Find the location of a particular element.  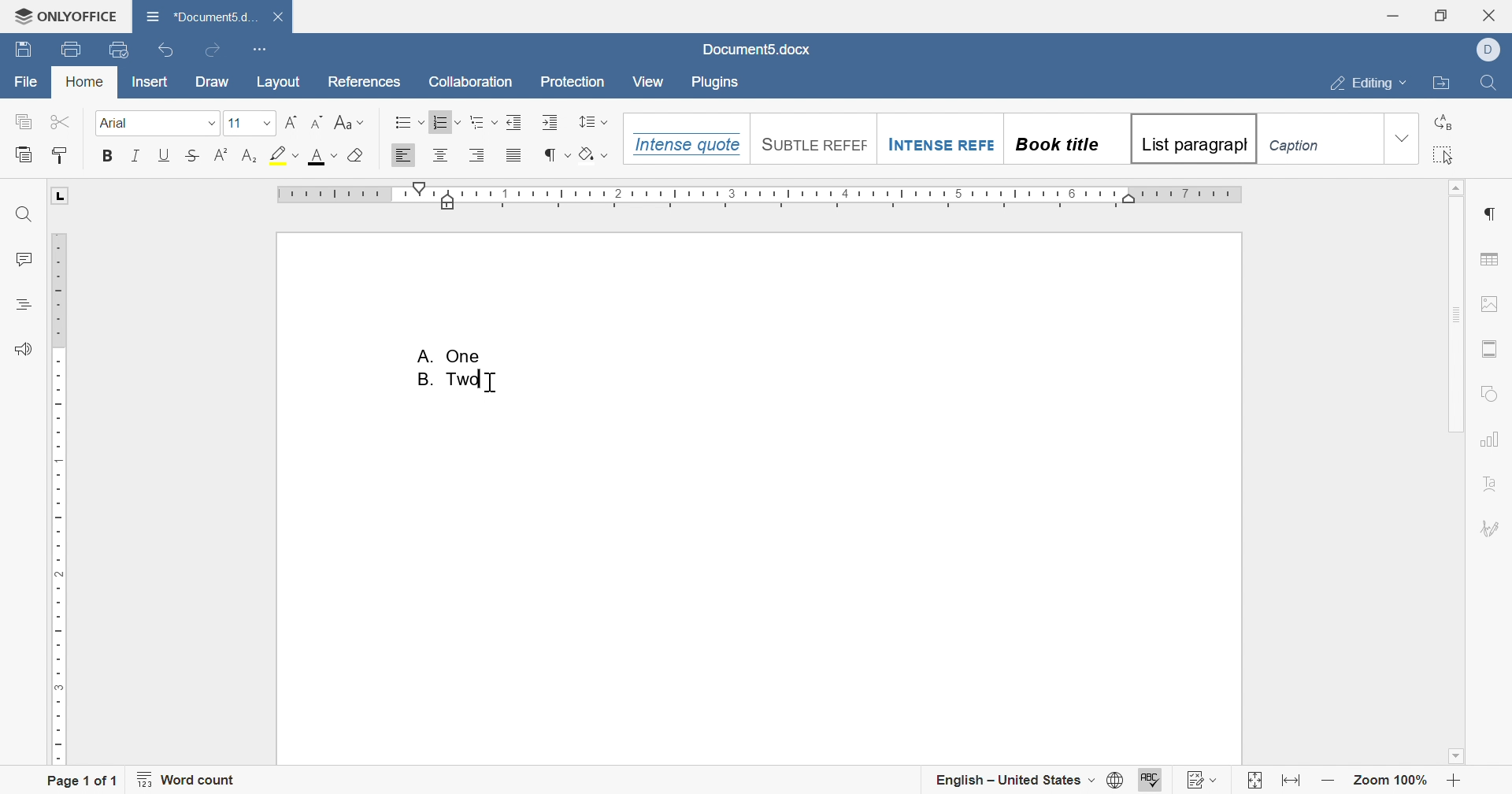

nonprinting characters is located at coordinates (557, 155).